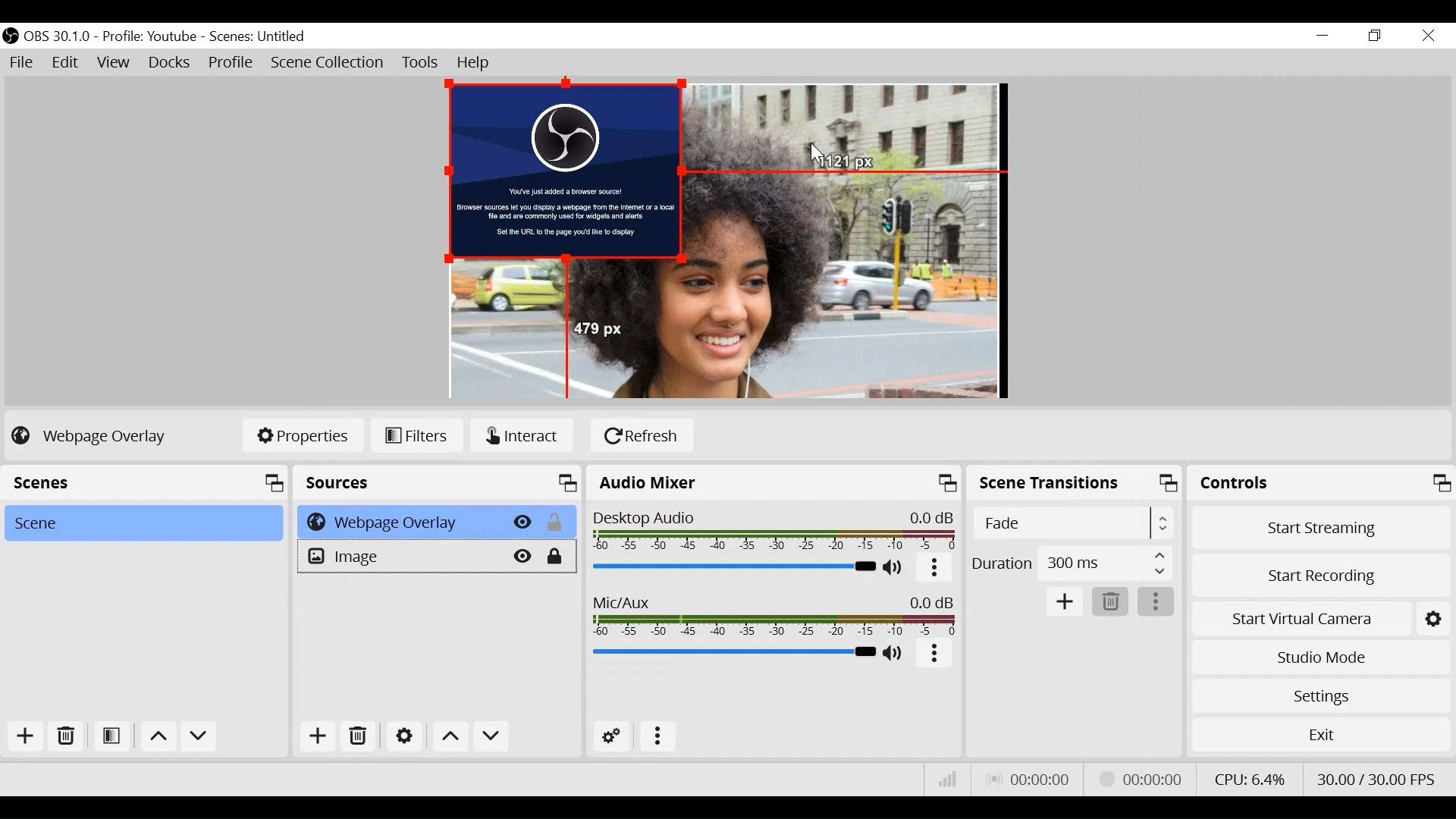 Image resolution: width=1456 pixels, height=819 pixels. What do you see at coordinates (638, 435) in the screenshot?
I see `Refresh` at bounding box center [638, 435].